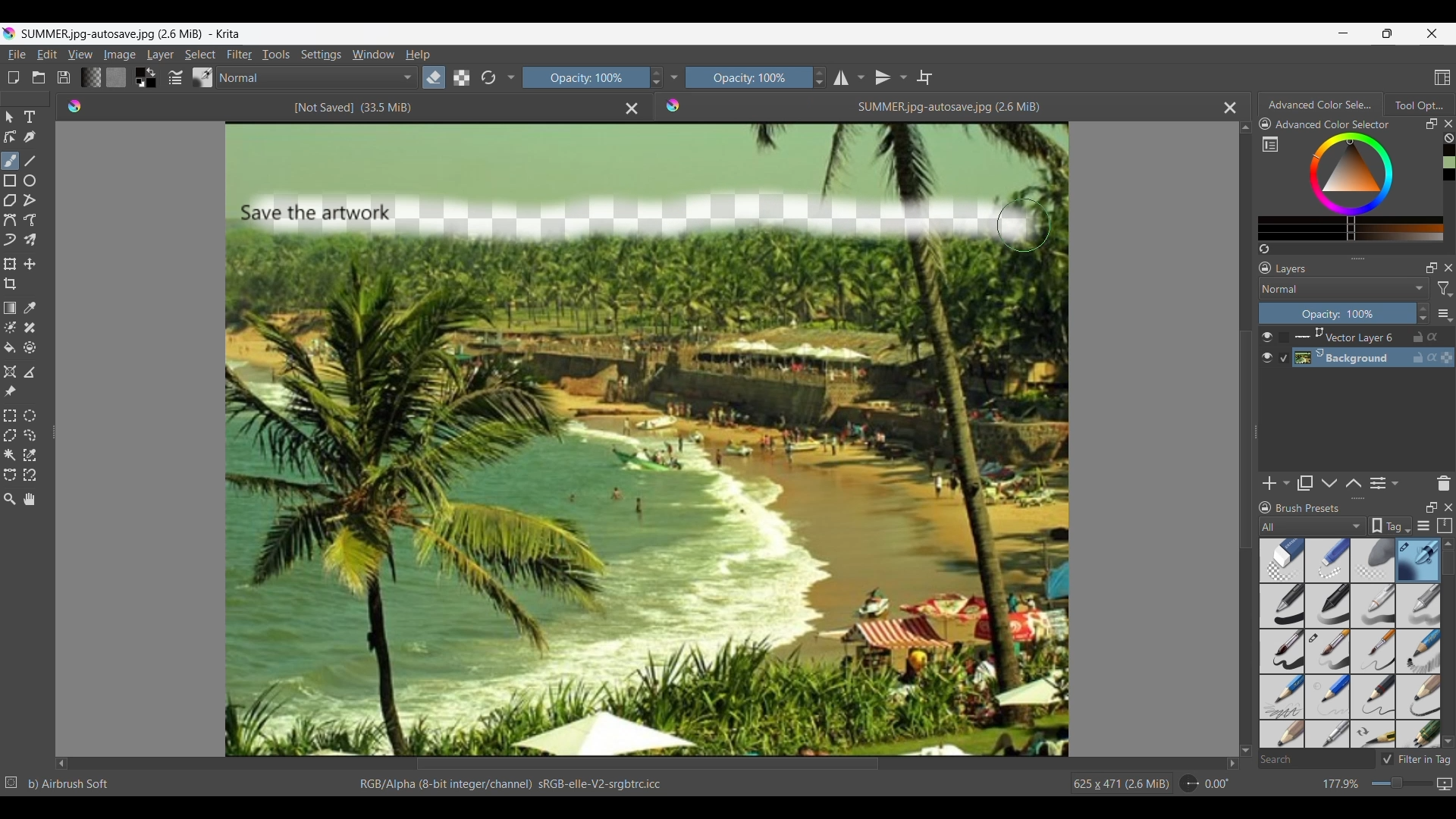 The width and height of the screenshot is (1456, 819). I want to click on Create a list of colors from the image, so click(1264, 249).